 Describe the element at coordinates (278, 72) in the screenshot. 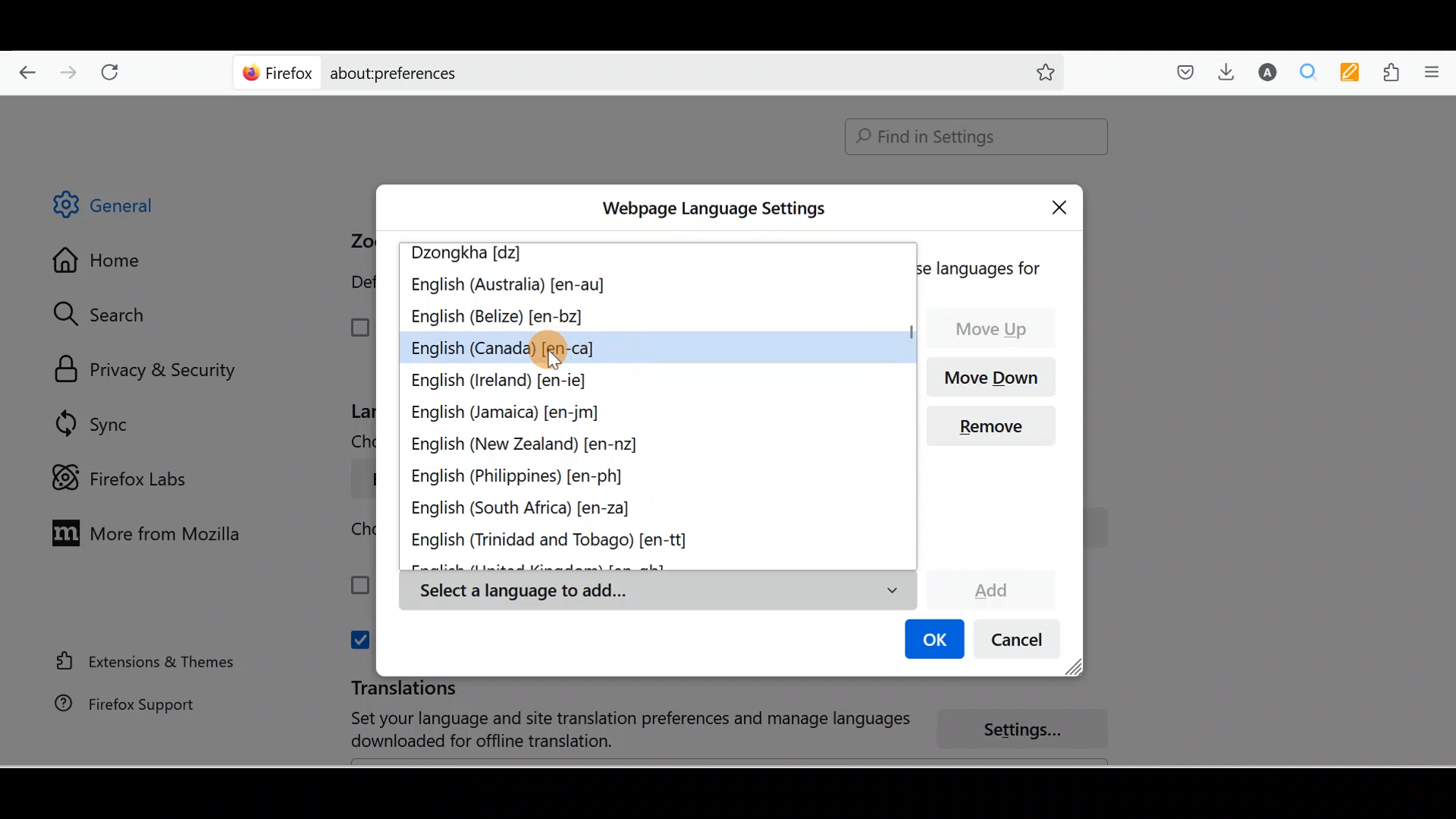

I see `Firefox` at that location.